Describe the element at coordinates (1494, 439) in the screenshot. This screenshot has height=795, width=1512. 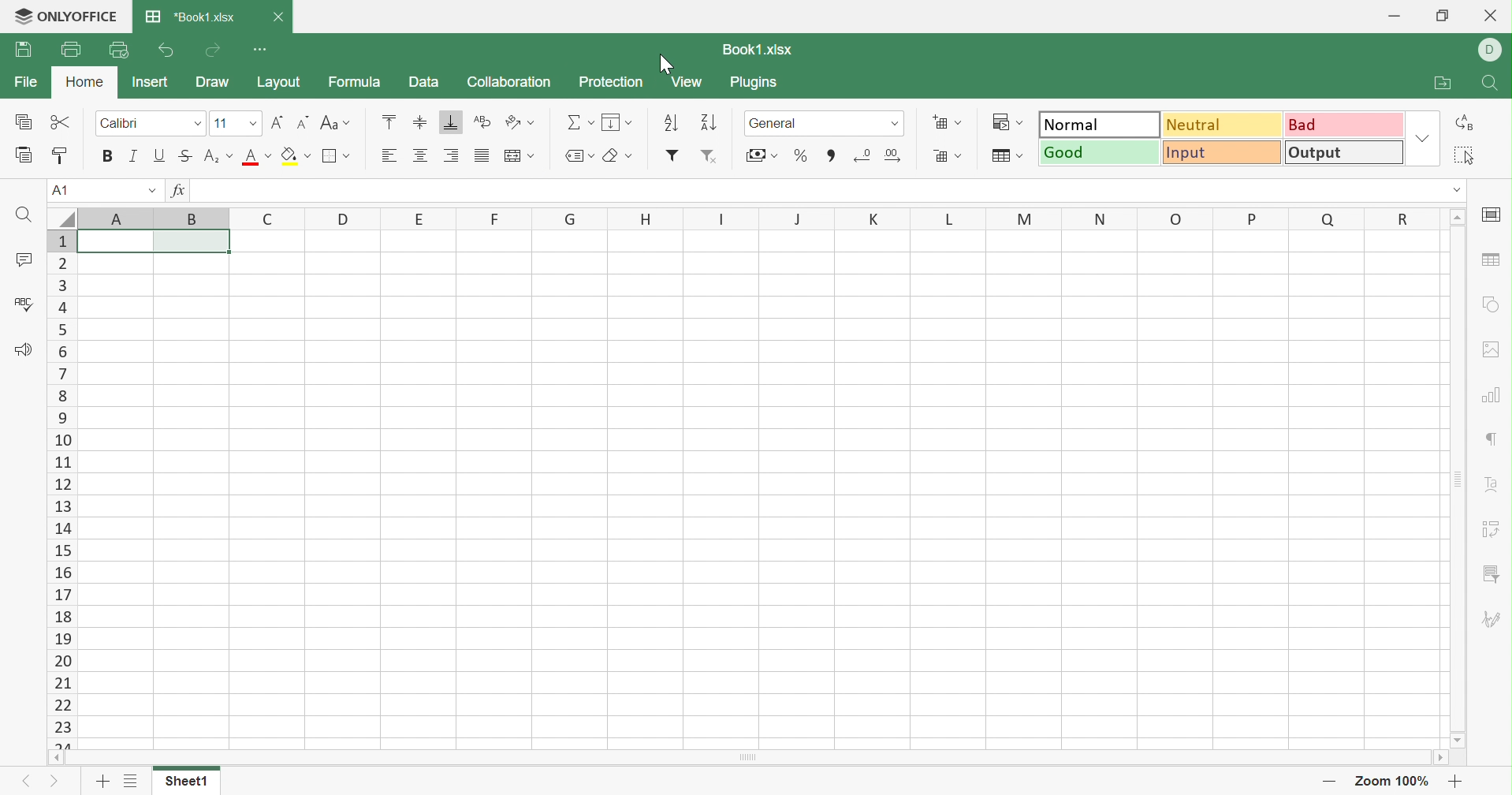
I see `Paragraph settings` at that location.